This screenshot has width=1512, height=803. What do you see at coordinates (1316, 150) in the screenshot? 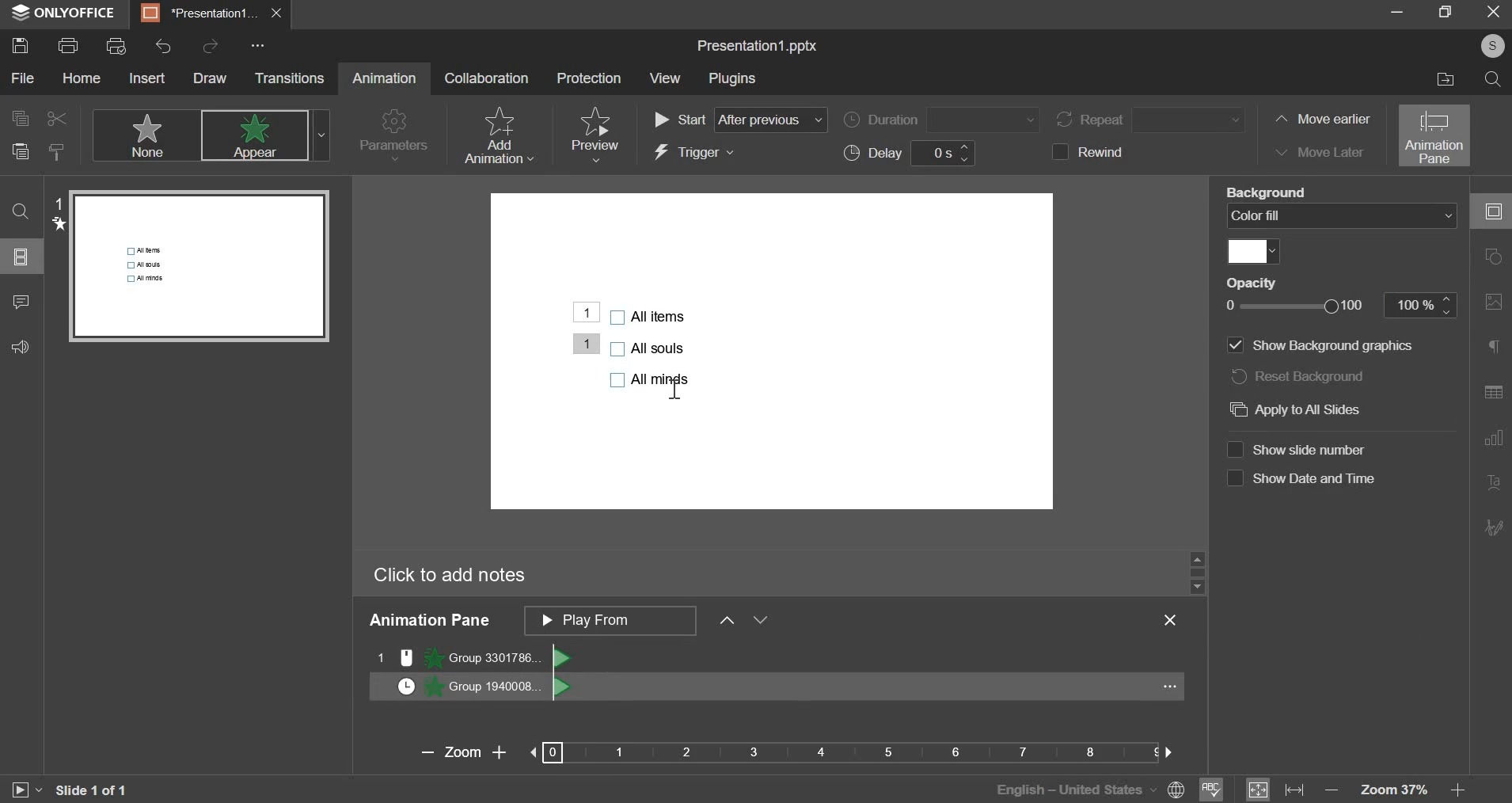
I see `move later` at bounding box center [1316, 150].